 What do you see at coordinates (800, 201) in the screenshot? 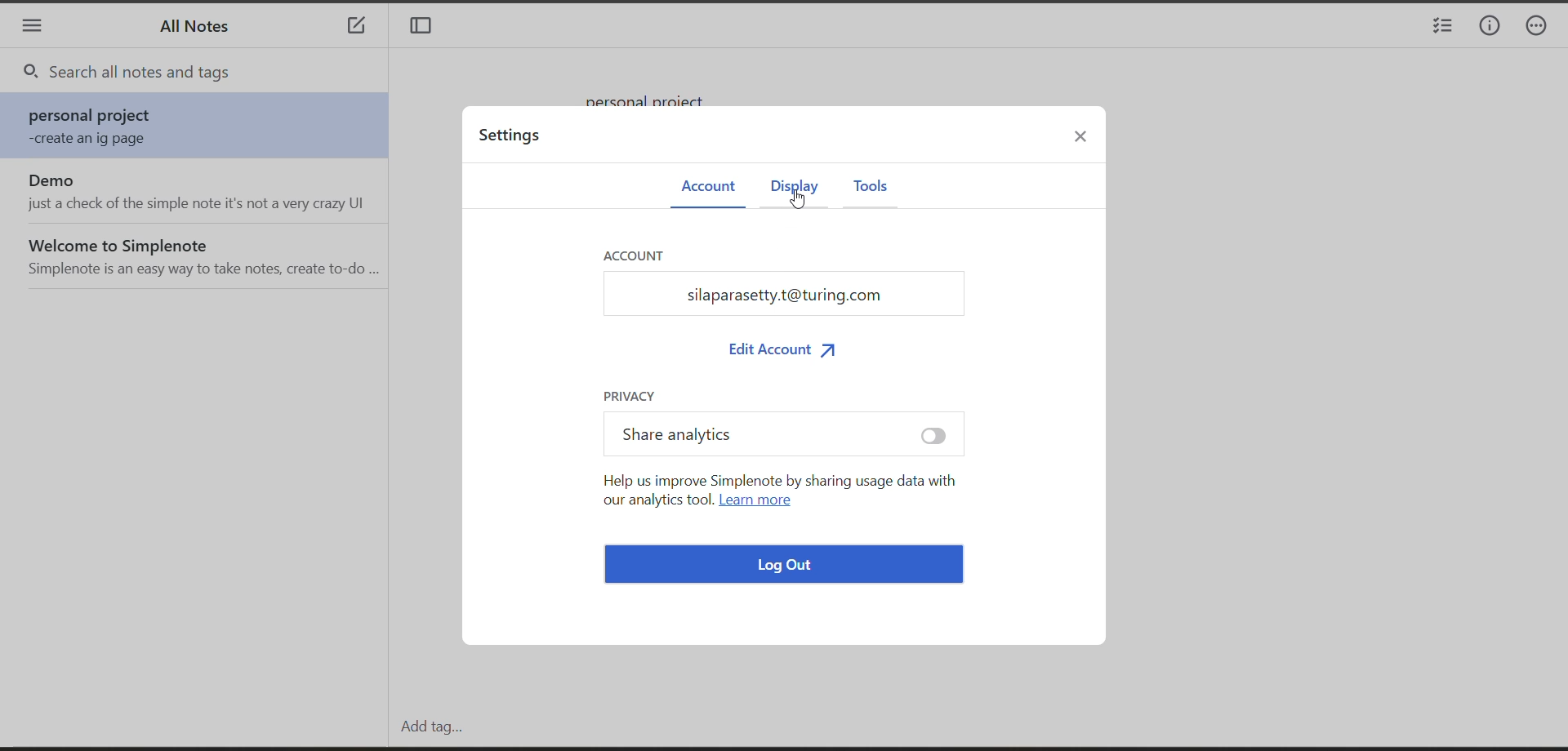
I see `cursor` at bounding box center [800, 201].